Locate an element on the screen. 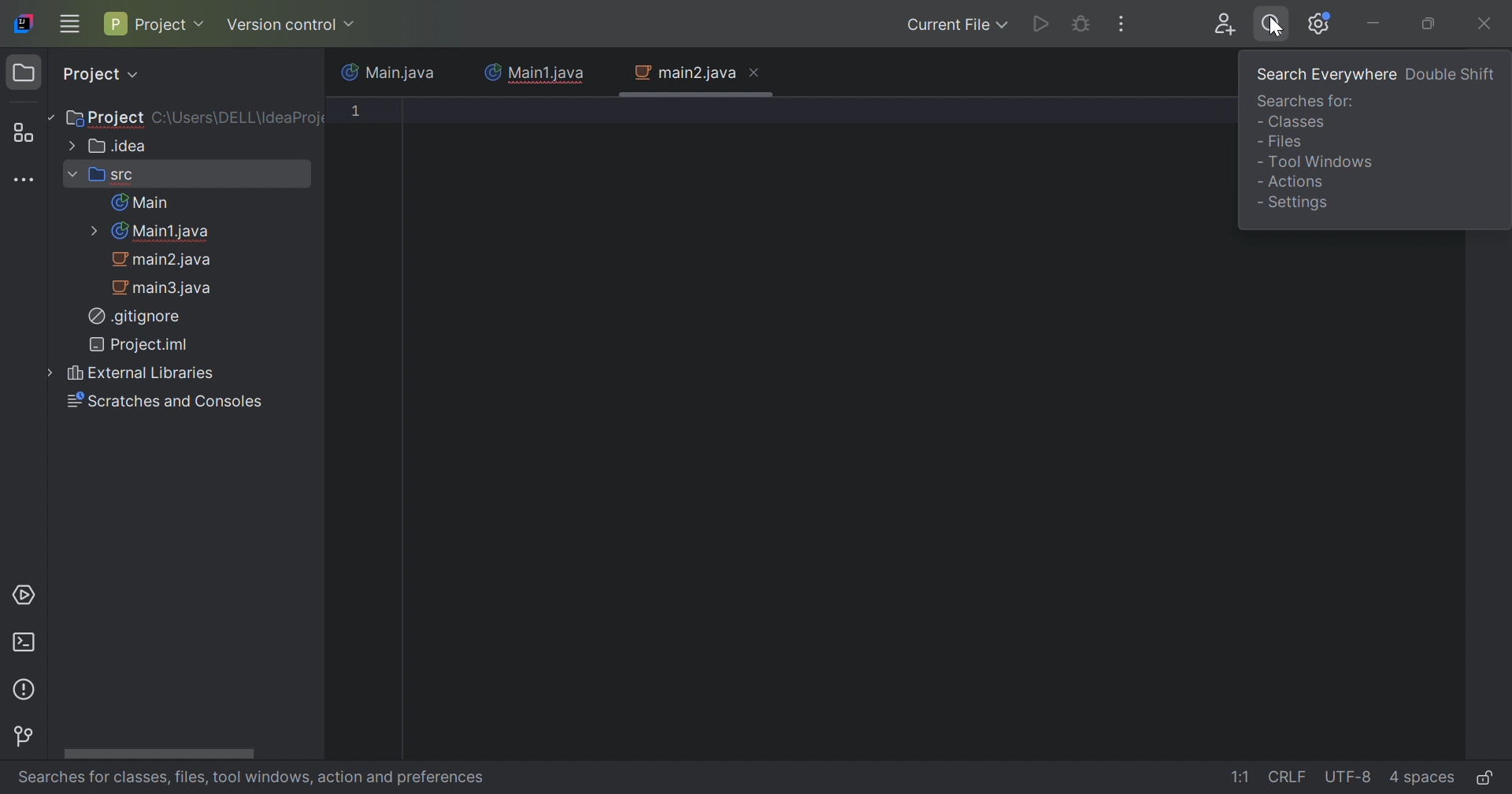 The width and height of the screenshot is (1512, 794). - Actions is located at coordinates (1290, 182).